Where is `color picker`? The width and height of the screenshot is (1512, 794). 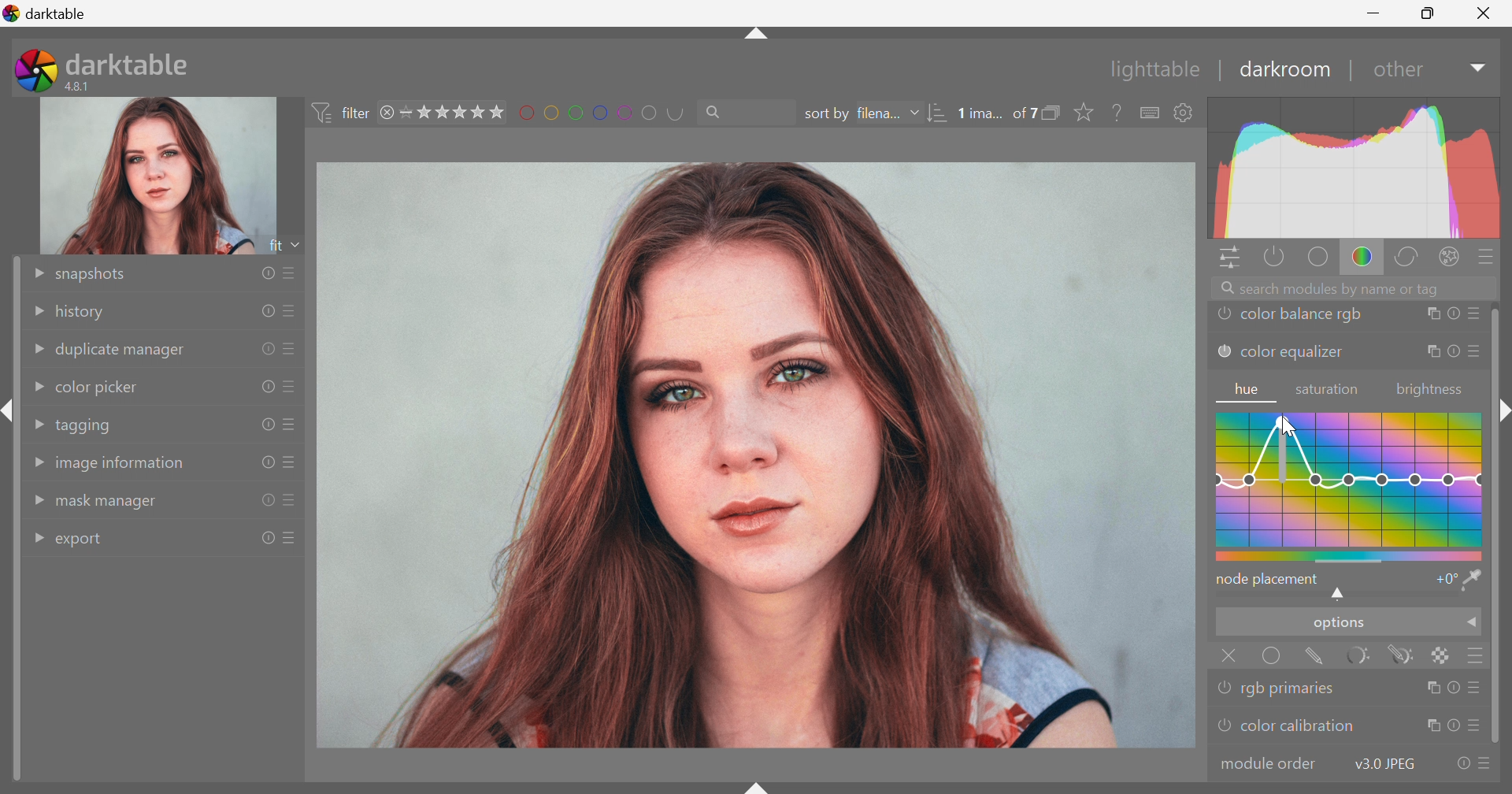
color picker is located at coordinates (98, 386).